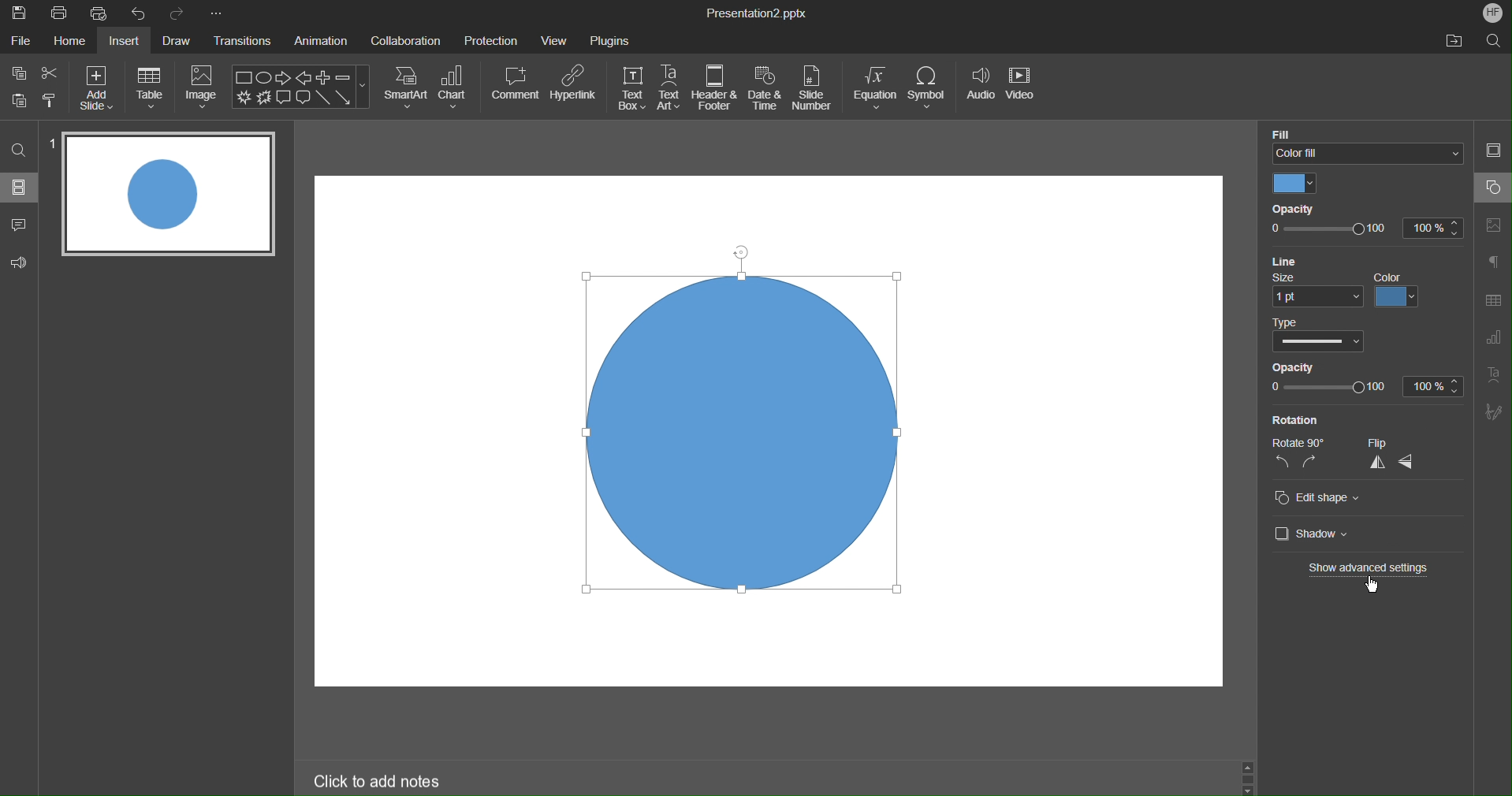 Image resolution: width=1512 pixels, height=796 pixels. What do you see at coordinates (715, 88) in the screenshot?
I see `Header & Footer` at bounding box center [715, 88].